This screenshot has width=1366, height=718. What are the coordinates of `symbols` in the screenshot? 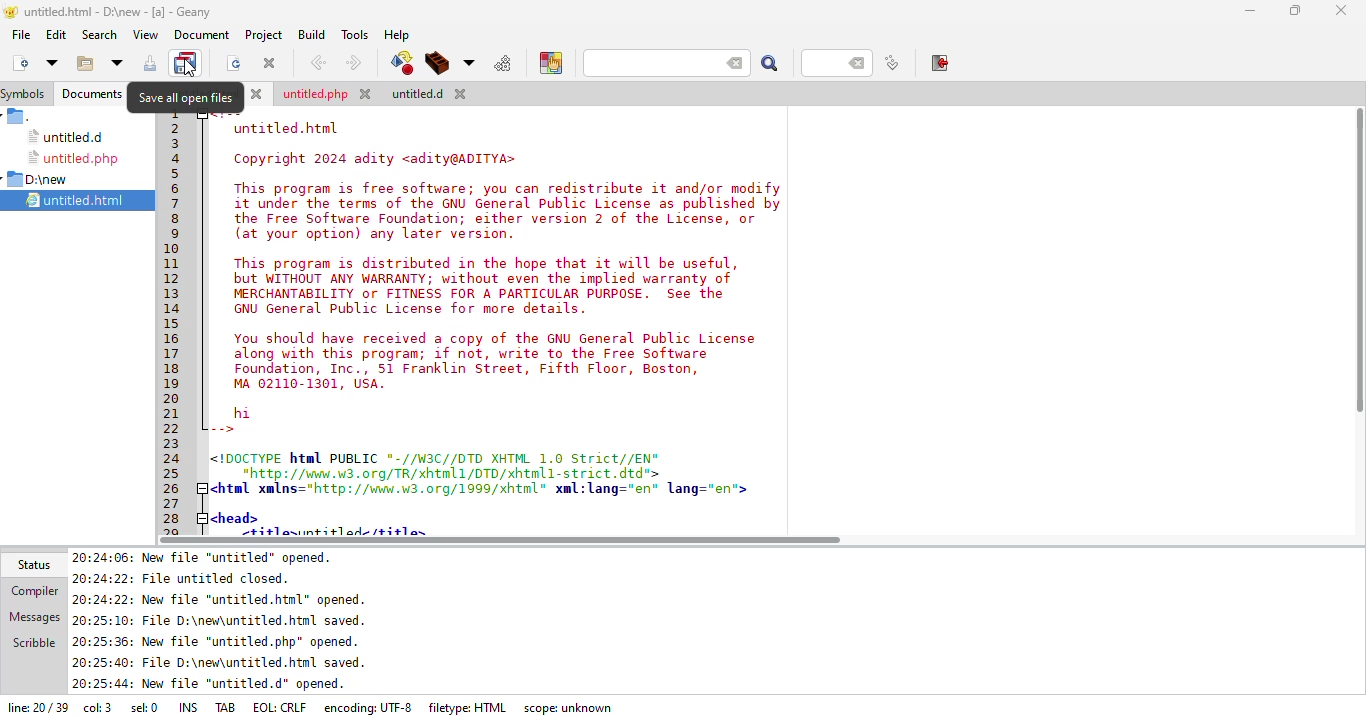 It's located at (26, 93).